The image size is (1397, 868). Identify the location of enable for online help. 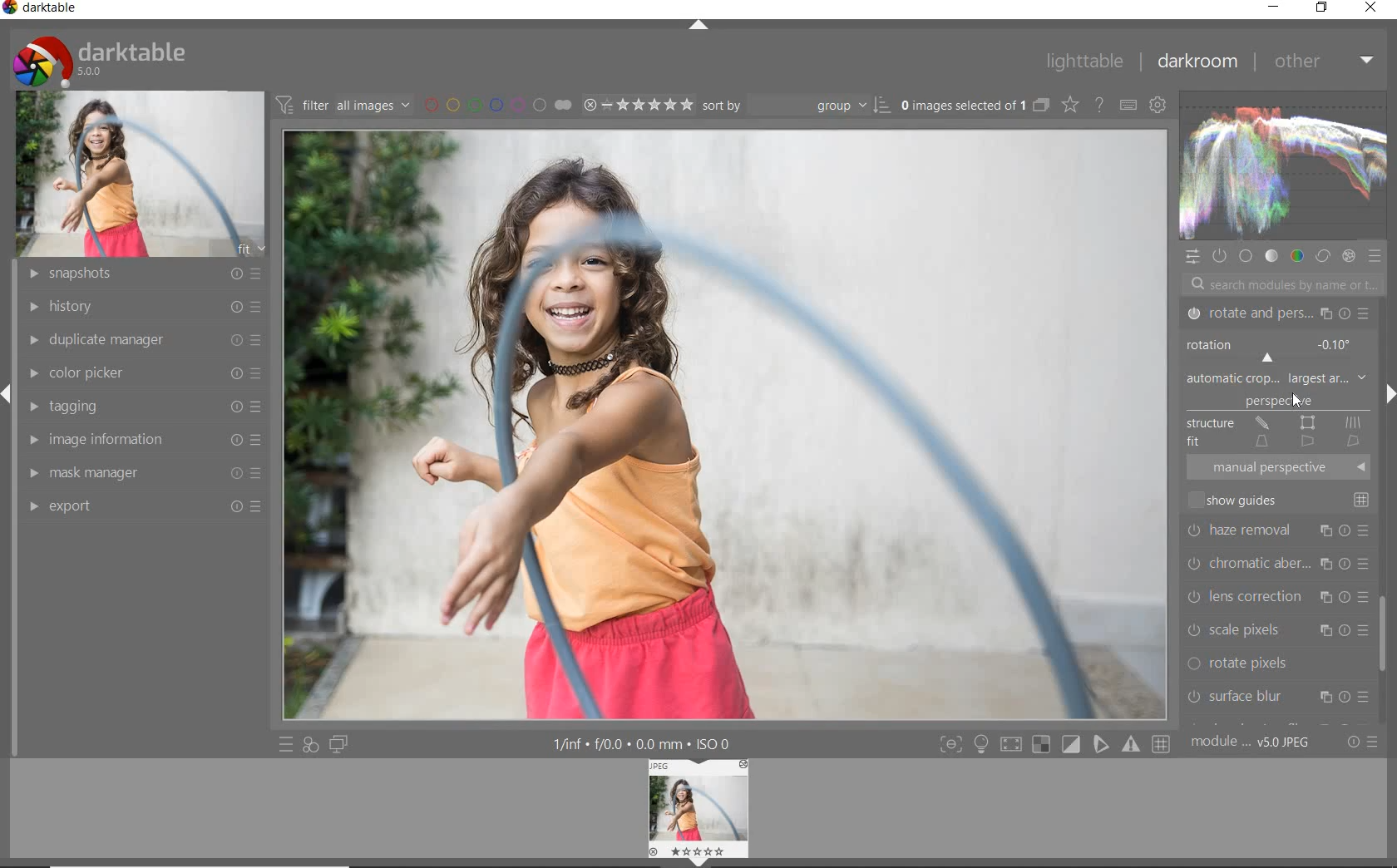
(1099, 105).